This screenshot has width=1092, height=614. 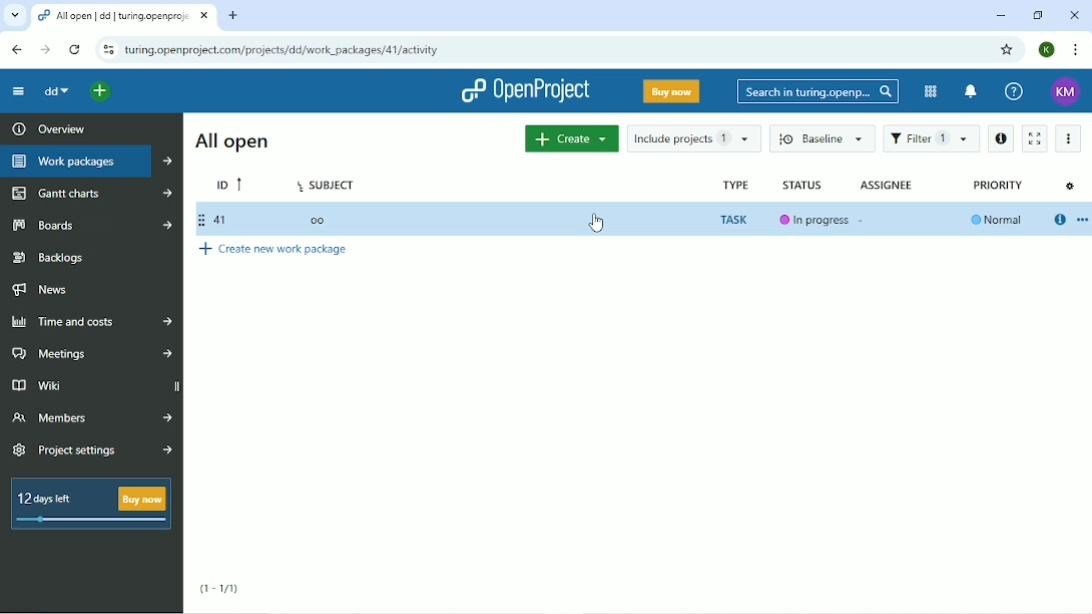 What do you see at coordinates (999, 185) in the screenshot?
I see `Priority` at bounding box center [999, 185].